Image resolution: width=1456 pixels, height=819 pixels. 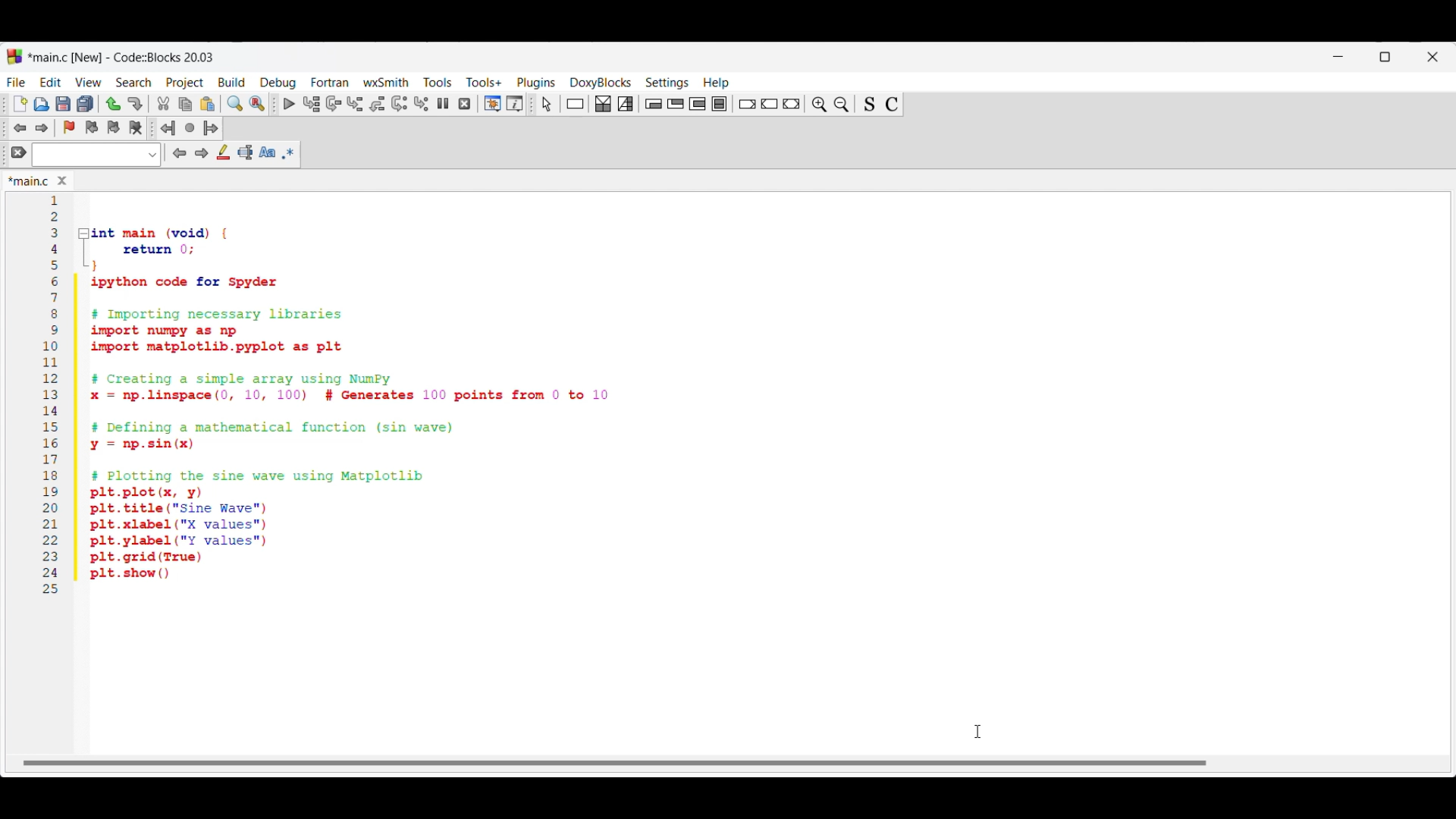 What do you see at coordinates (246, 152) in the screenshot?
I see `Selected text` at bounding box center [246, 152].